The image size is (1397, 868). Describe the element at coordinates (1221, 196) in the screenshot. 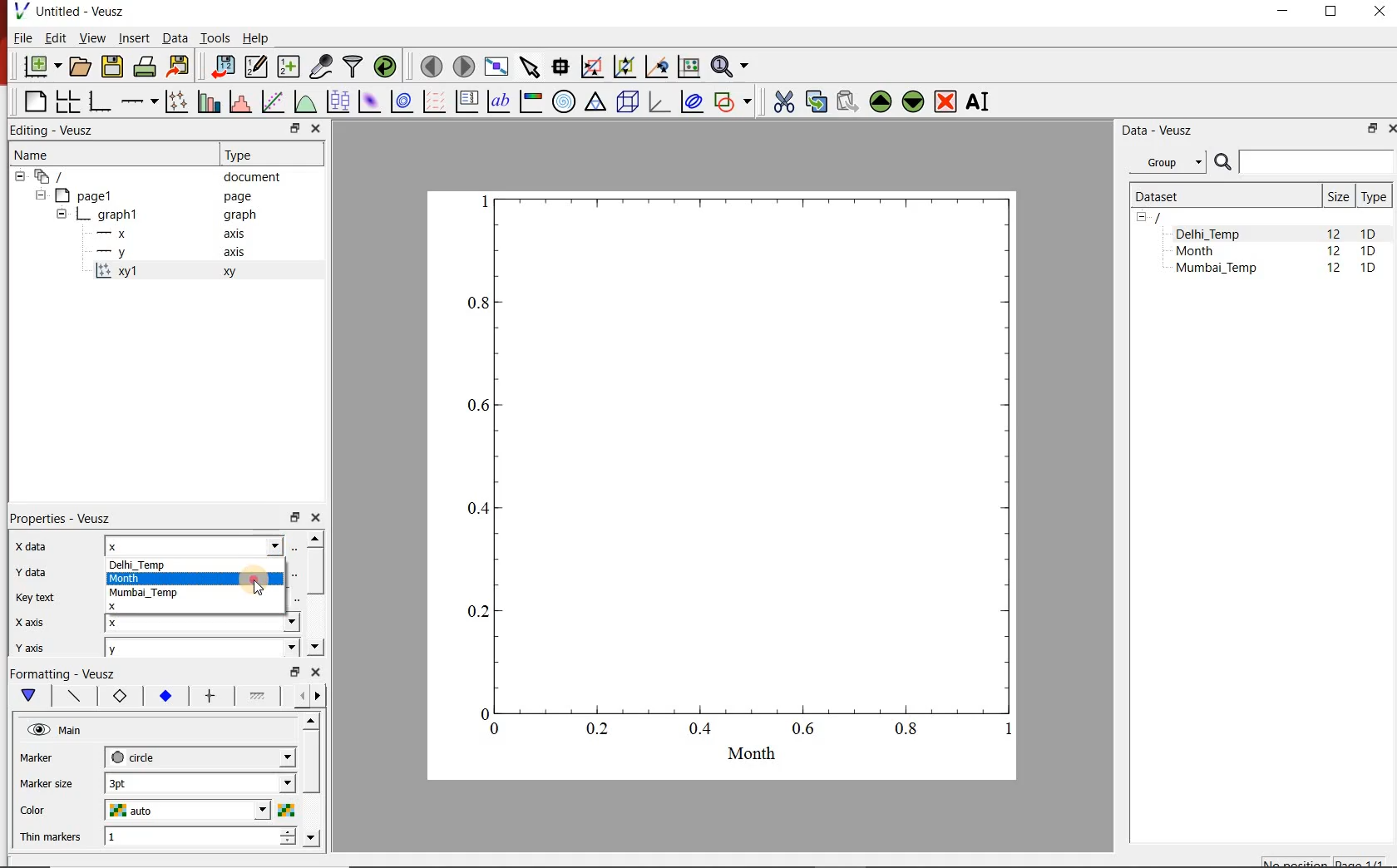

I see `Dataset` at that location.